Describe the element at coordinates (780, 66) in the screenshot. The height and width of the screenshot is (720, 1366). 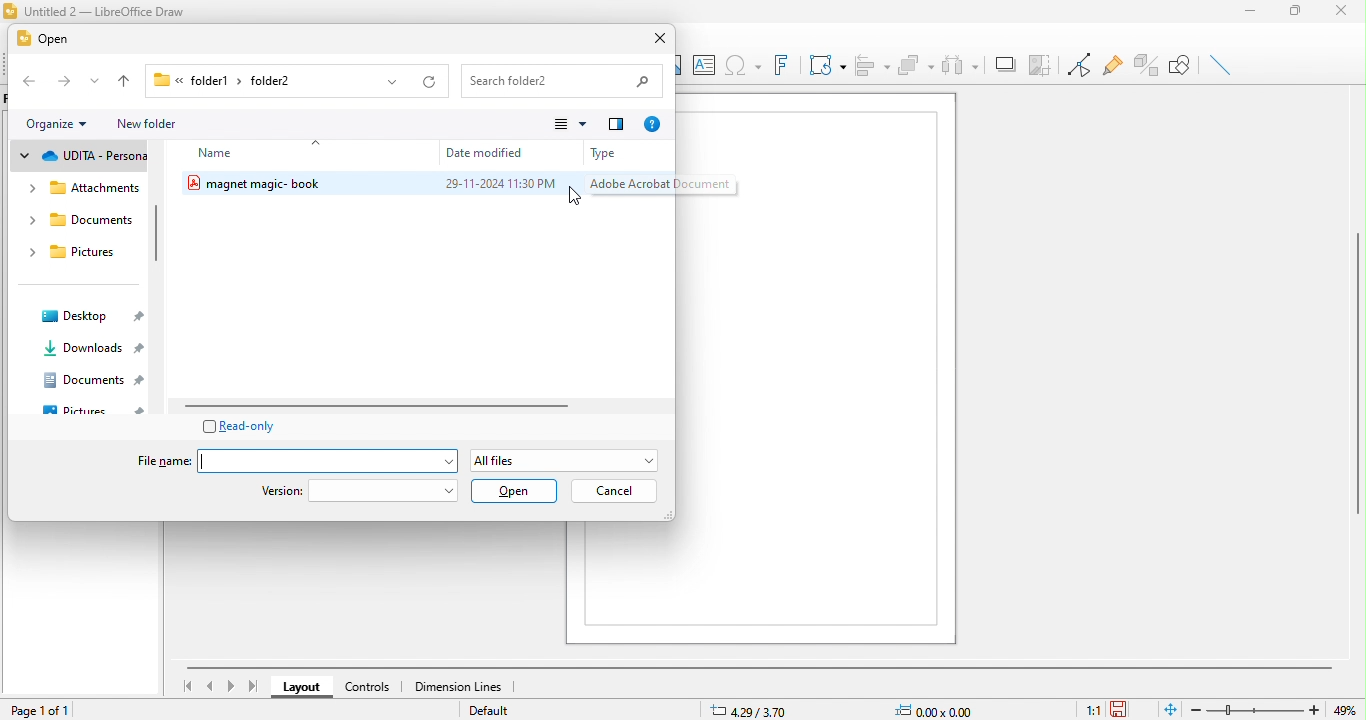
I see `fontwork text` at that location.